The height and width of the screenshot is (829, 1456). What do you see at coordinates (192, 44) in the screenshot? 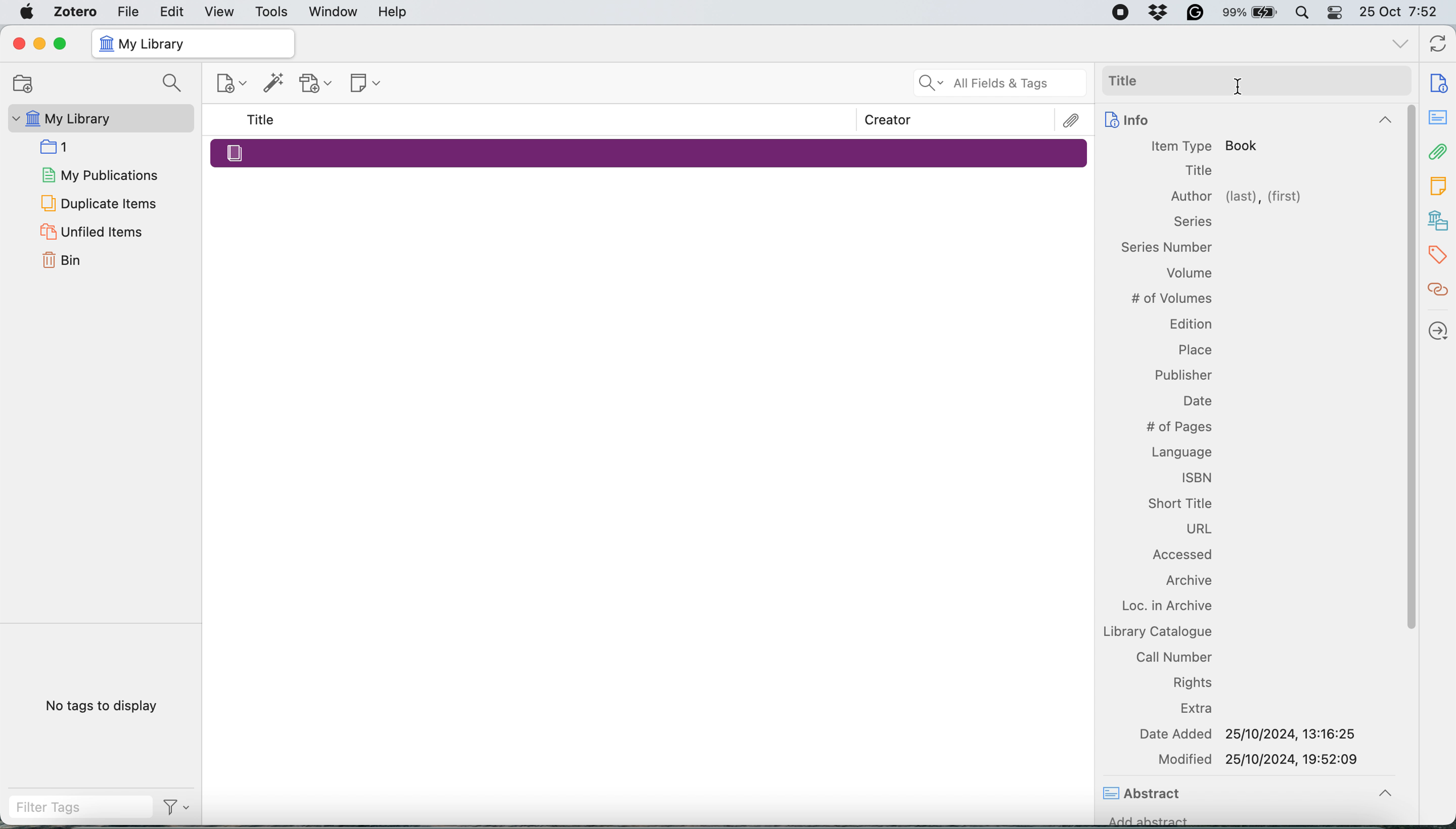
I see `My Library` at bounding box center [192, 44].